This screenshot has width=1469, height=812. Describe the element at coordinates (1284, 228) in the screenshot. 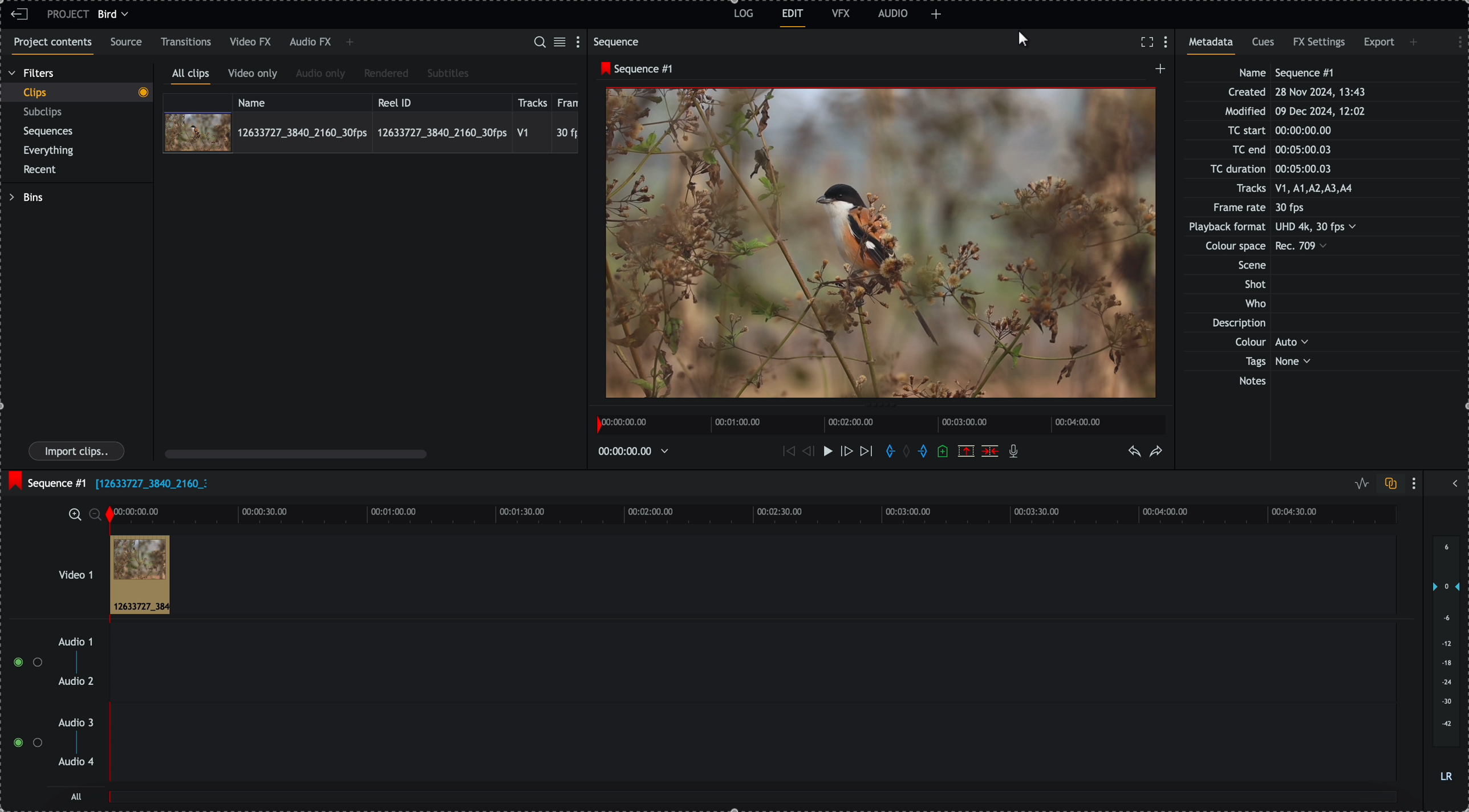

I see `metadata` at that location.